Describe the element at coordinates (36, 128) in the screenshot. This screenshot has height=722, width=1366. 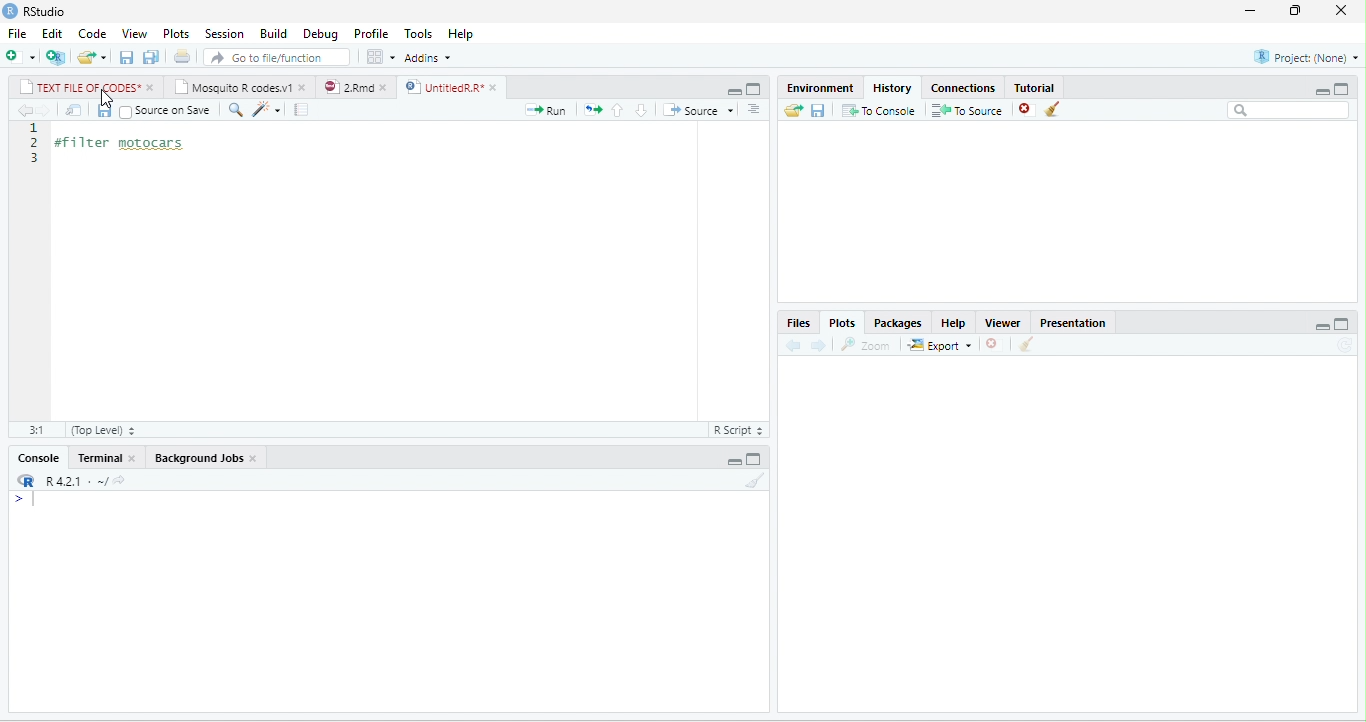
I see `1` at that location.